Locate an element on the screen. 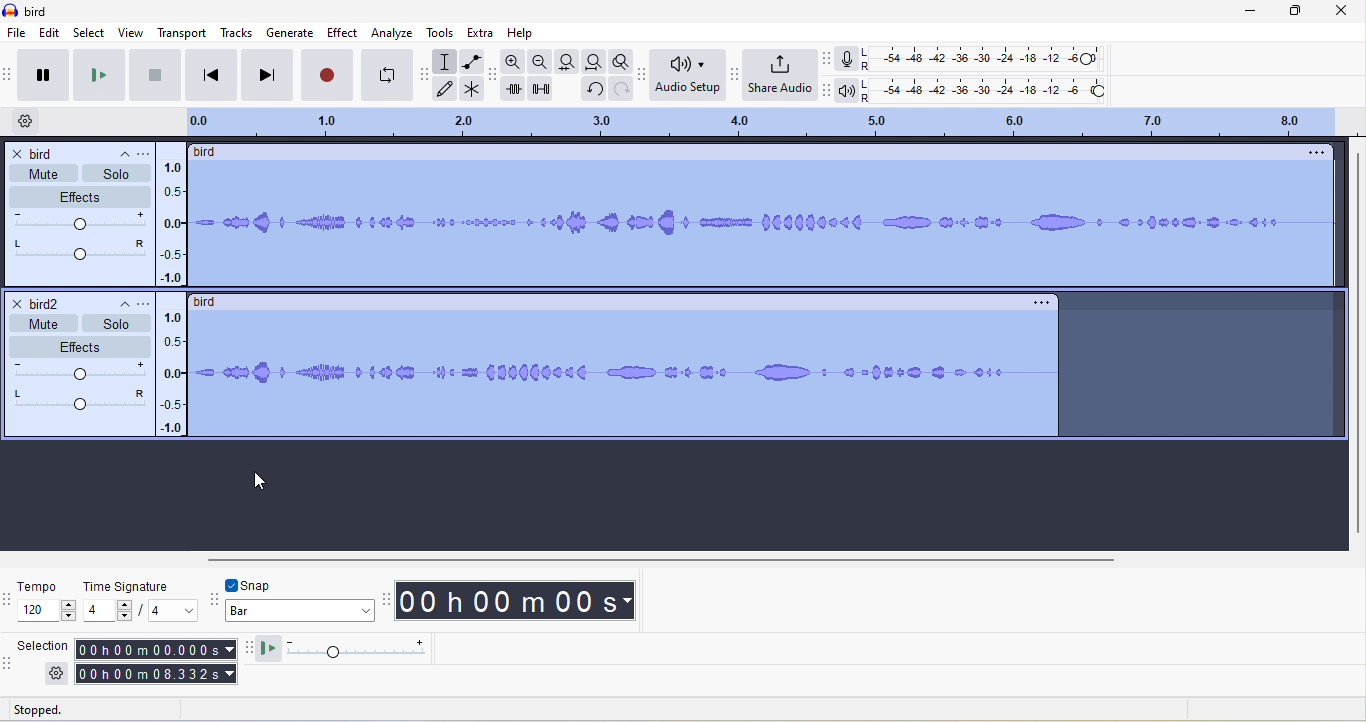  00 h 00 m 00.000 s is located at coordinates (155, 651).